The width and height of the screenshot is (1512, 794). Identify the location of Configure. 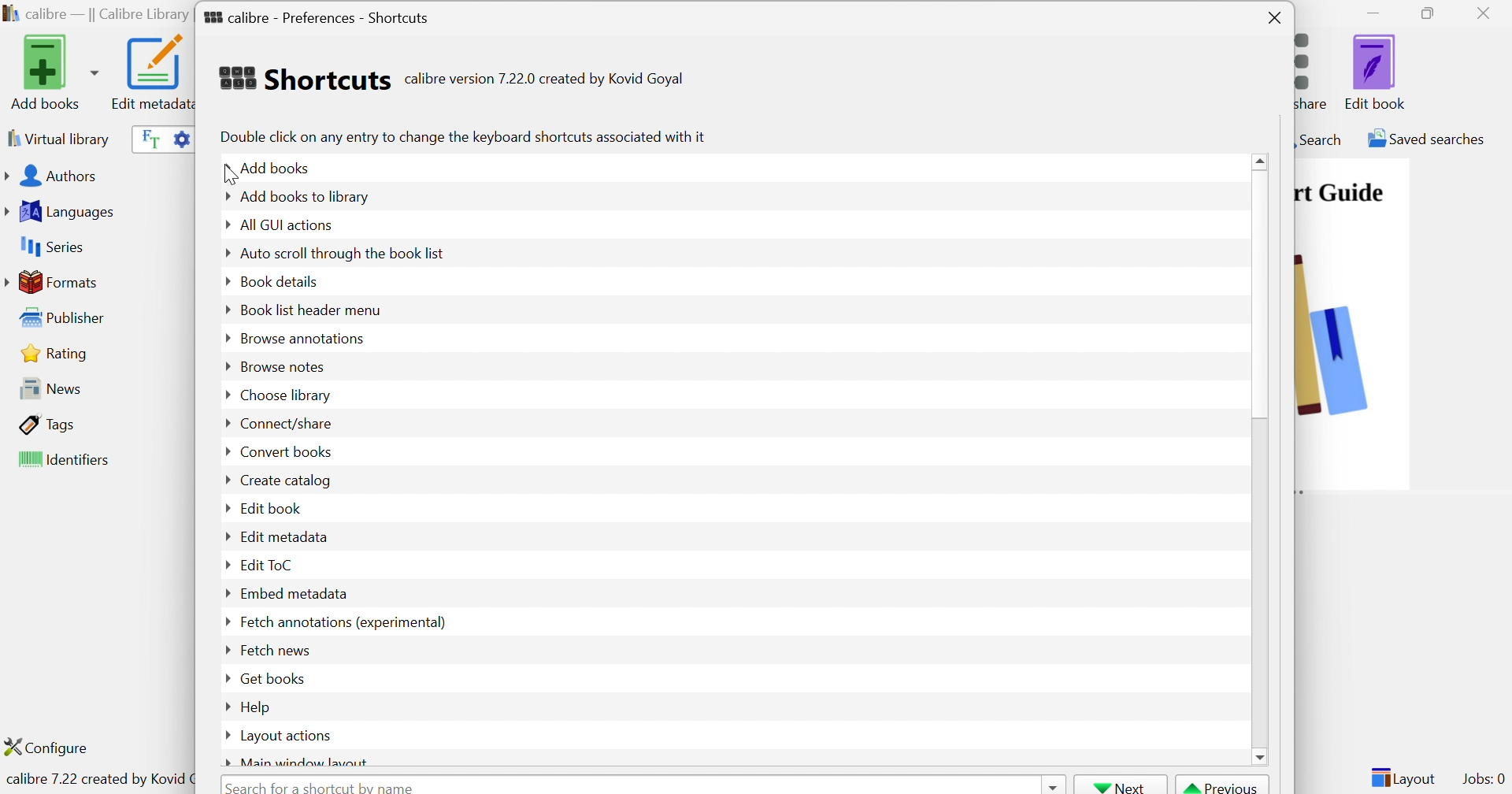
(53, 747).